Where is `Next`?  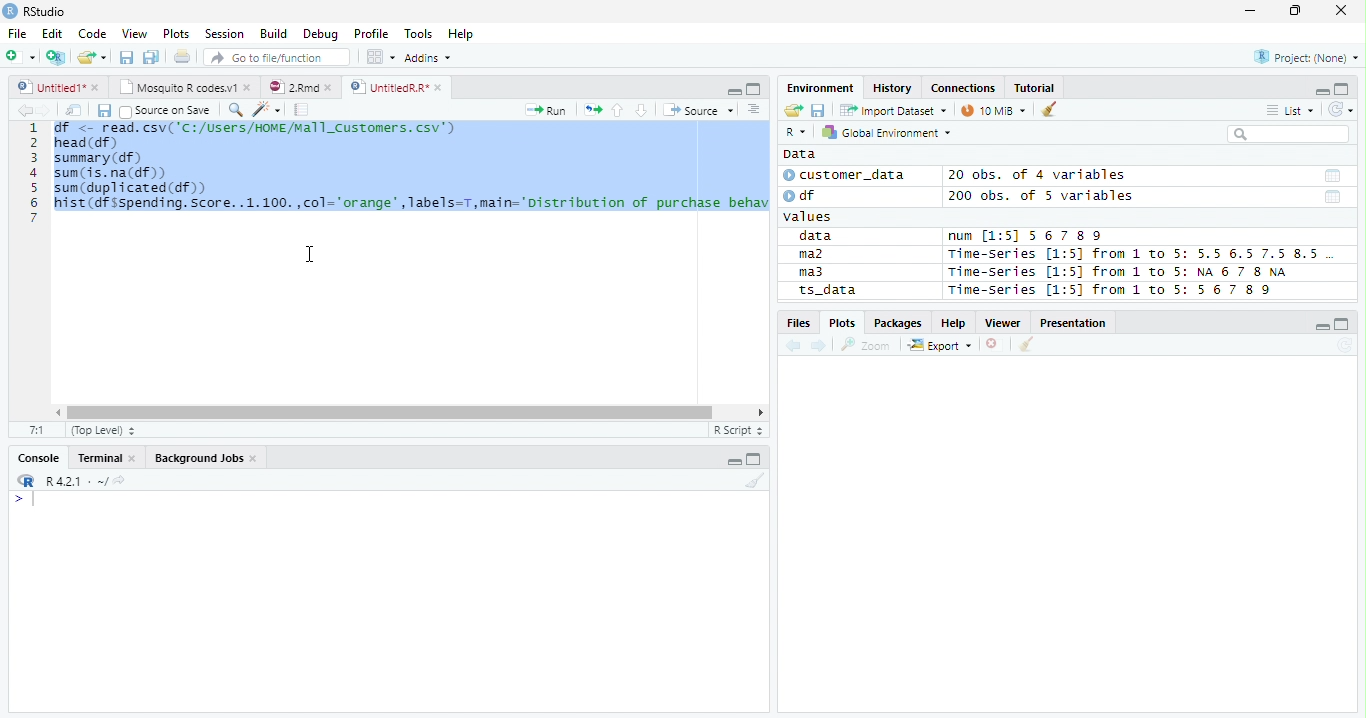 Next is located at coordinates (45, 111).